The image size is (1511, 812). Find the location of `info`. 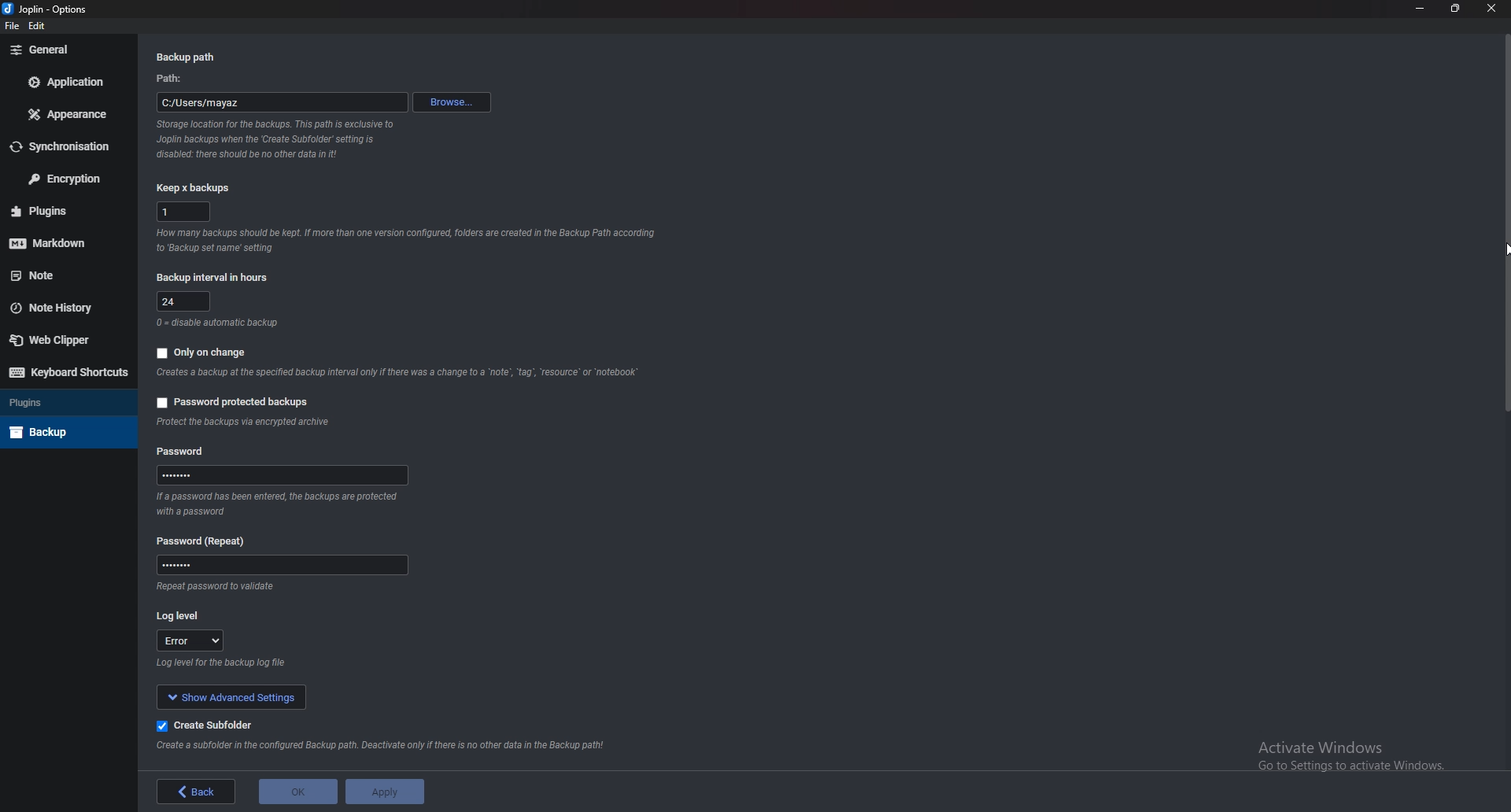

info is located at coordinates (217, 324).